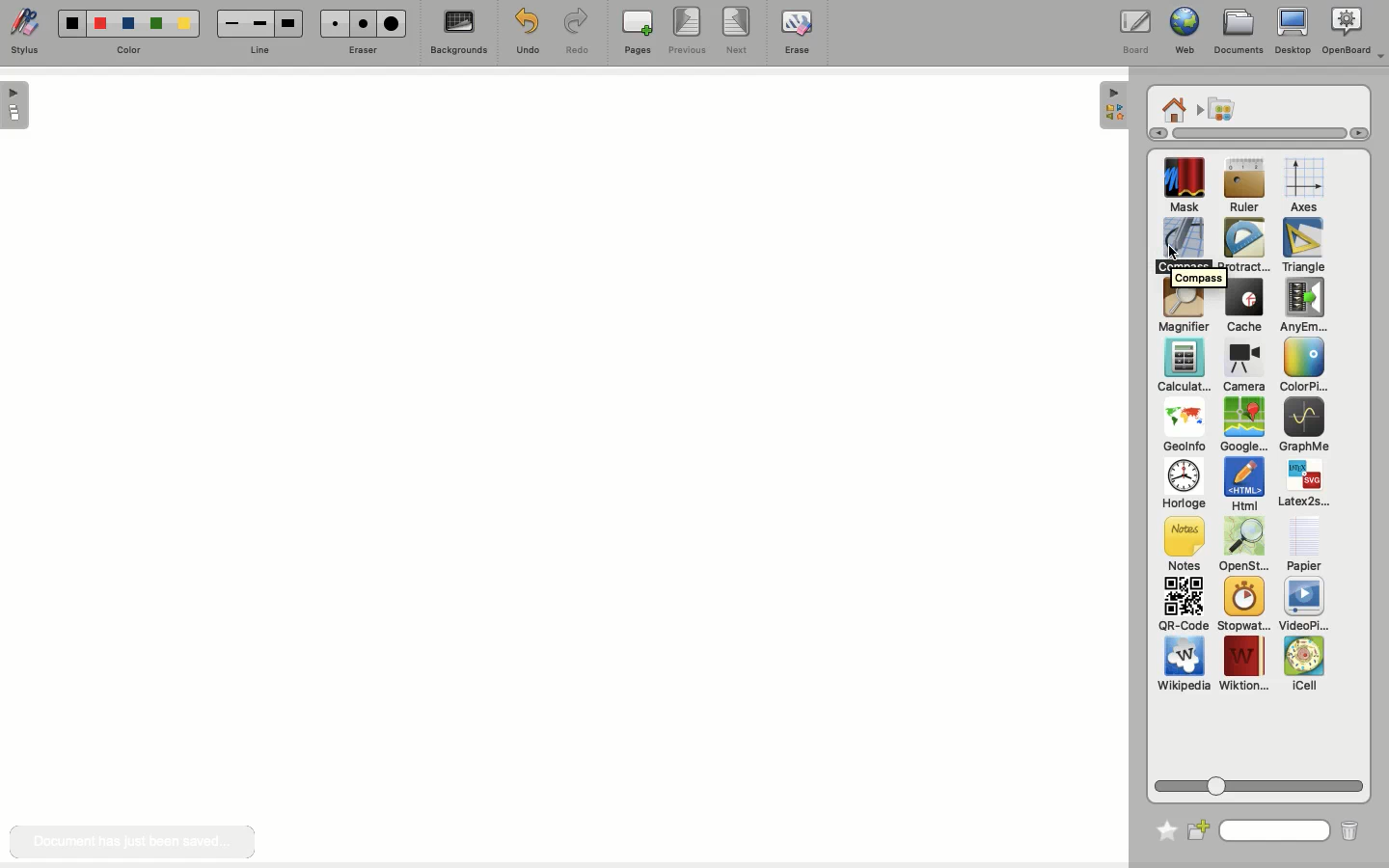 Image resolution: width=1389 pixels, height=868 pixels. What do you see at coordinates (1183, 312) in the screenshot?
I see `Magnifier` at bounding box center [1183, 312].